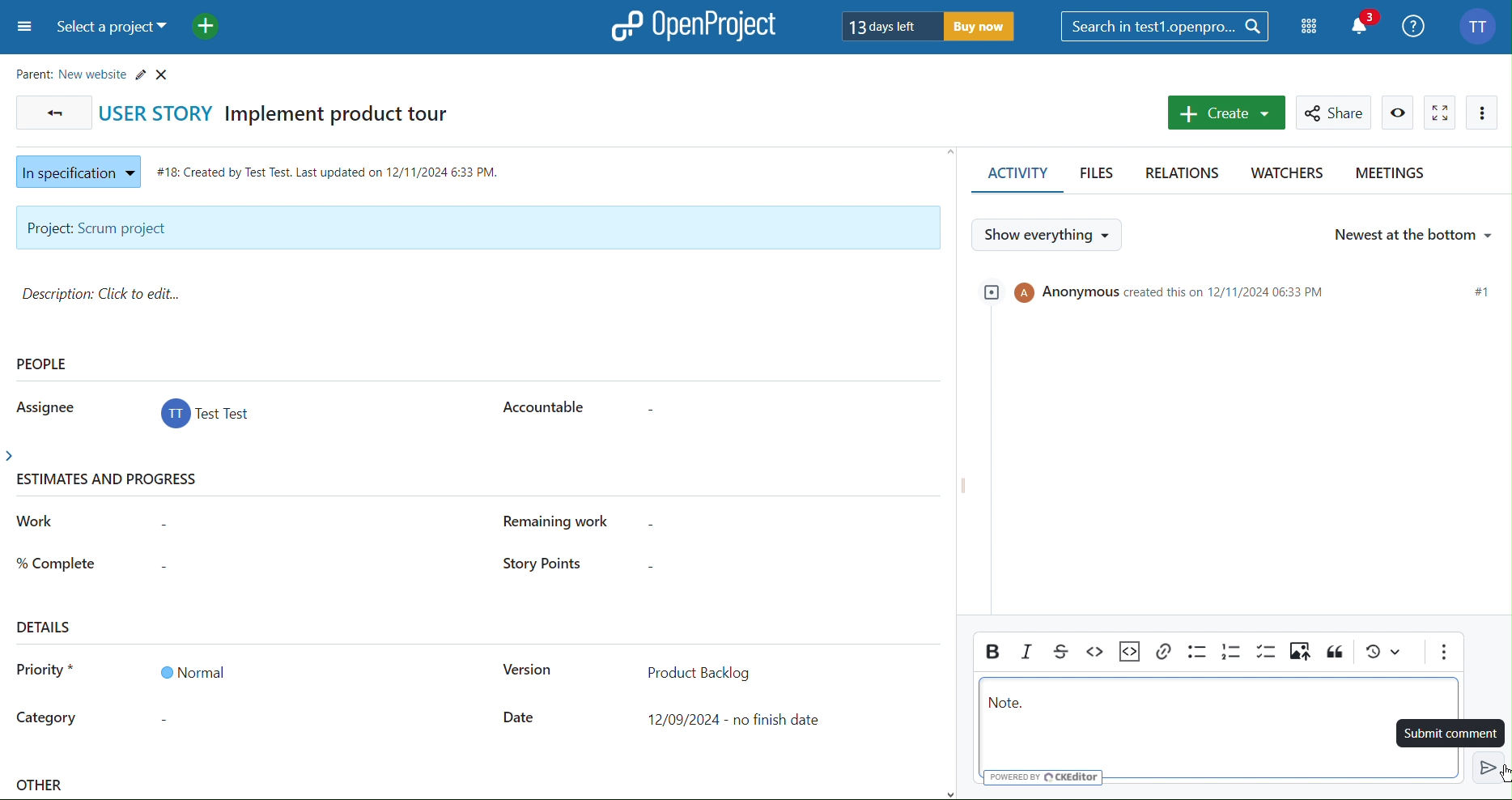  I want to click on Account, so click(1480, 24).